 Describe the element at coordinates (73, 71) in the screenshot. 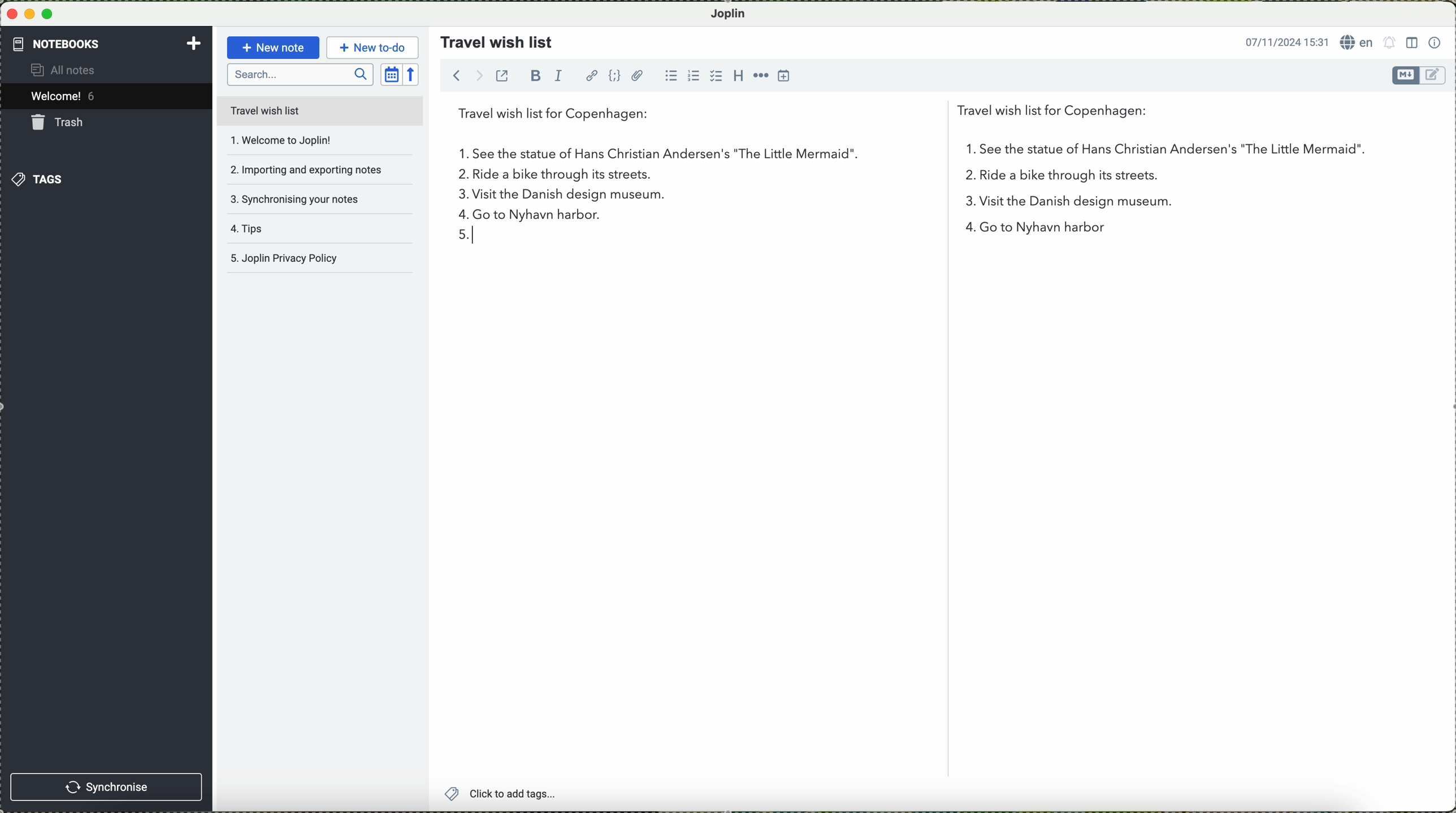

I see `all notes` at that location.